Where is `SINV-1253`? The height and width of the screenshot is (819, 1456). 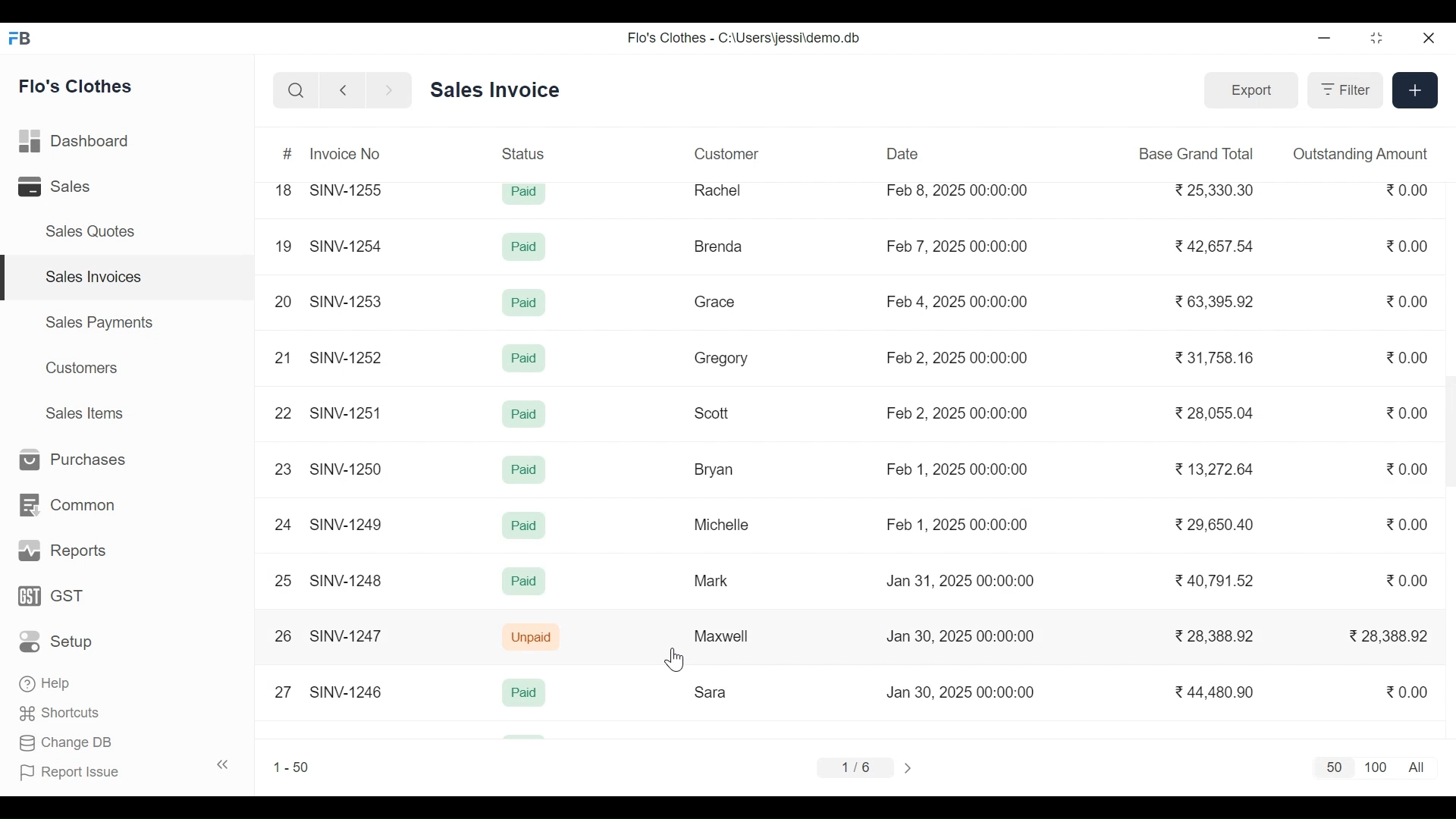 SINV-1253 is located at coordinates (348, 300).